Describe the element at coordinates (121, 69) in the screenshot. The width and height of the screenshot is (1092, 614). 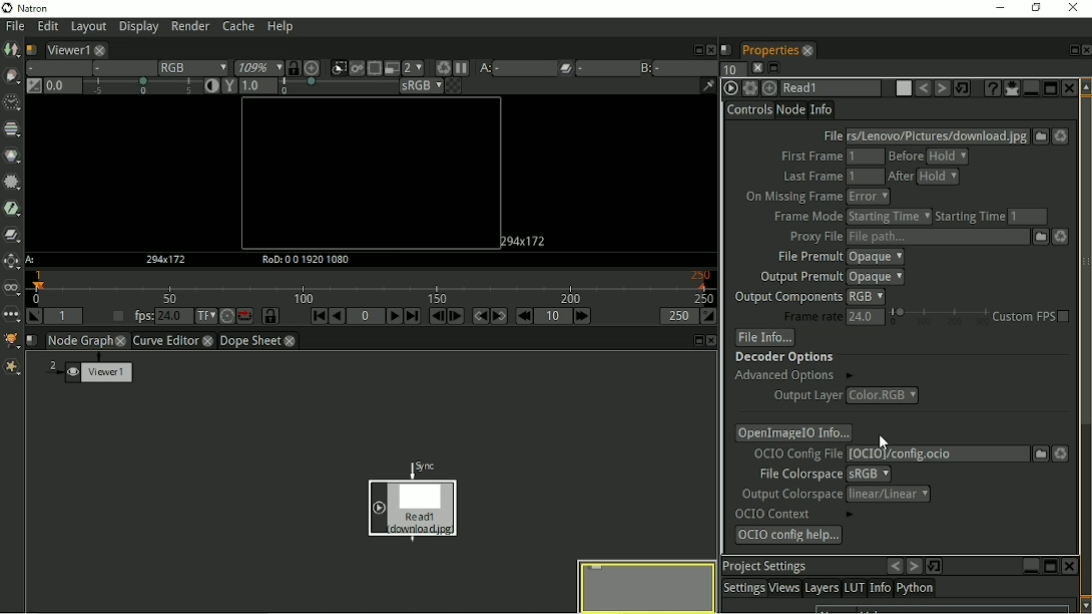
I see `Alpha channel` at that location.